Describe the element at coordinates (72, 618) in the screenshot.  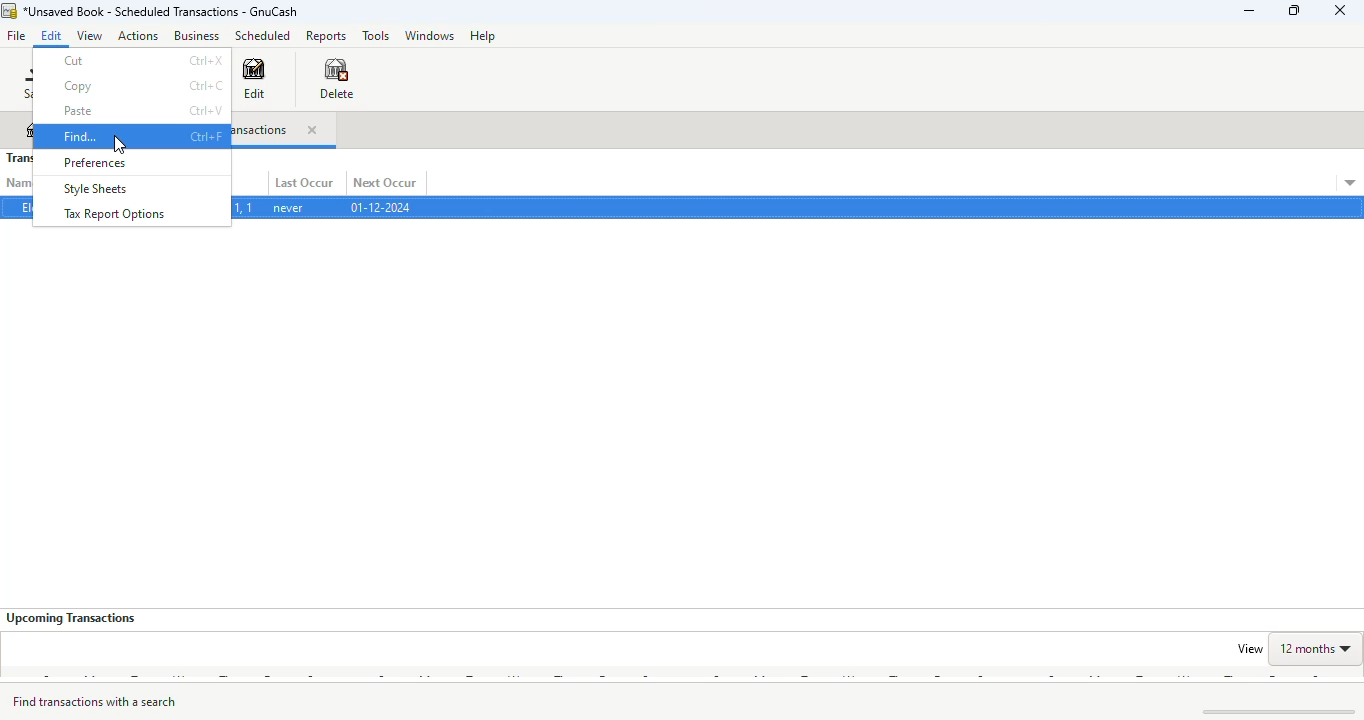
I see `upcoming transactions` at that location.